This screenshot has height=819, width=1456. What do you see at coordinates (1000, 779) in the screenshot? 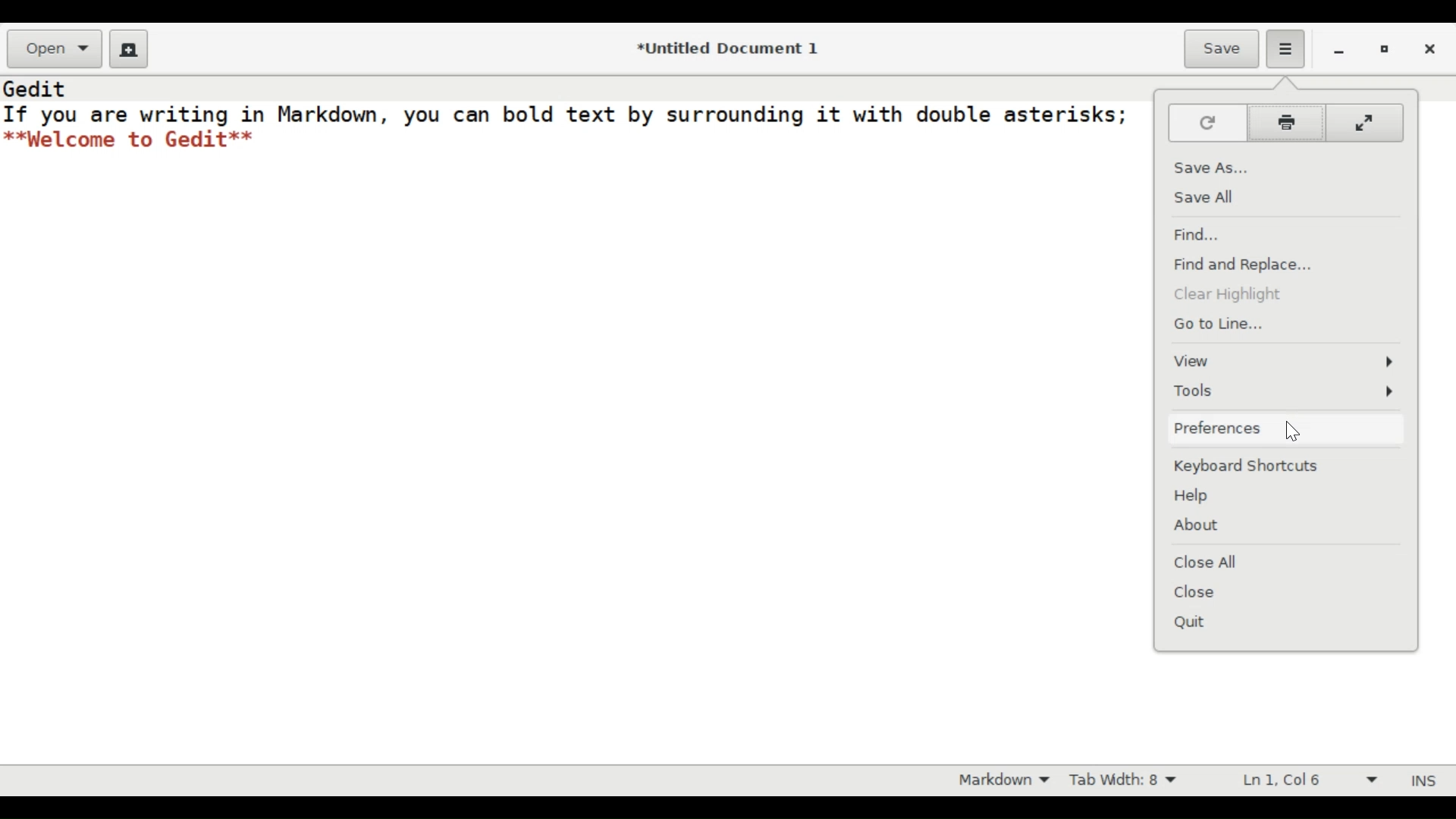
I see `Highlight mode otion` at bounding box center [1000, 779].